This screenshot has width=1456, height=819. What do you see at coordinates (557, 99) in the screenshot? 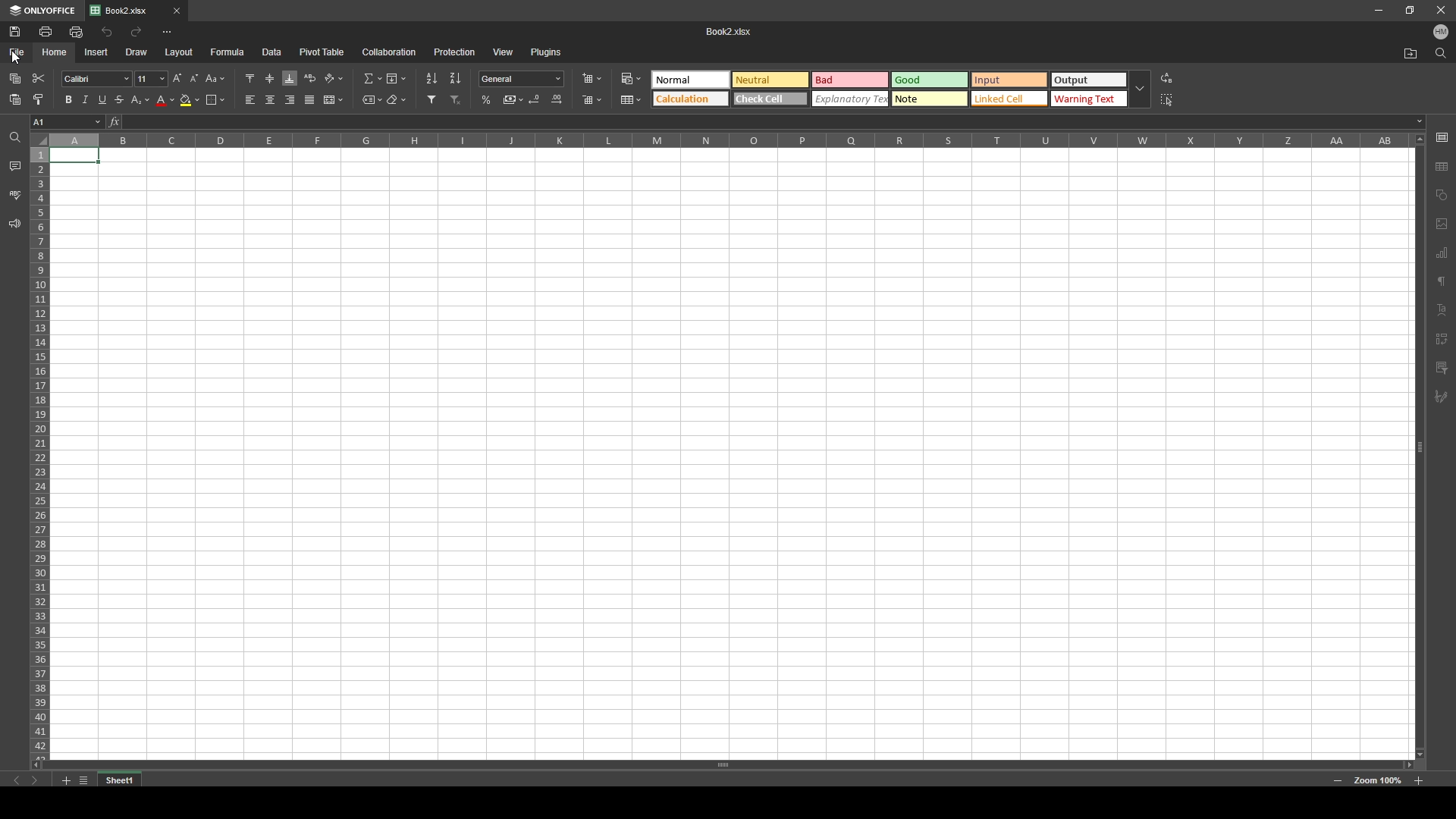
I see `increase decimal` at bounding box center [557, 99].